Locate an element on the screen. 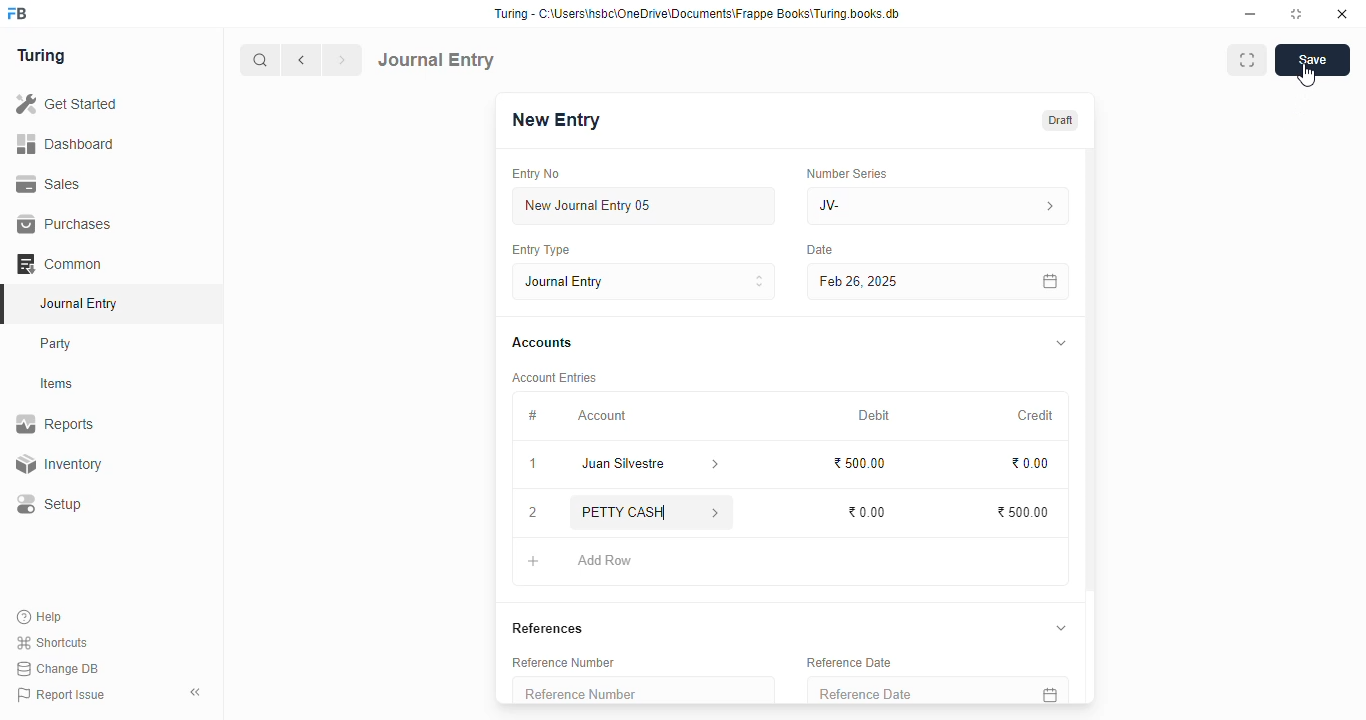 This screenshot has width=1366, height=720. calendar icon is located at coordinates (1049, 691).